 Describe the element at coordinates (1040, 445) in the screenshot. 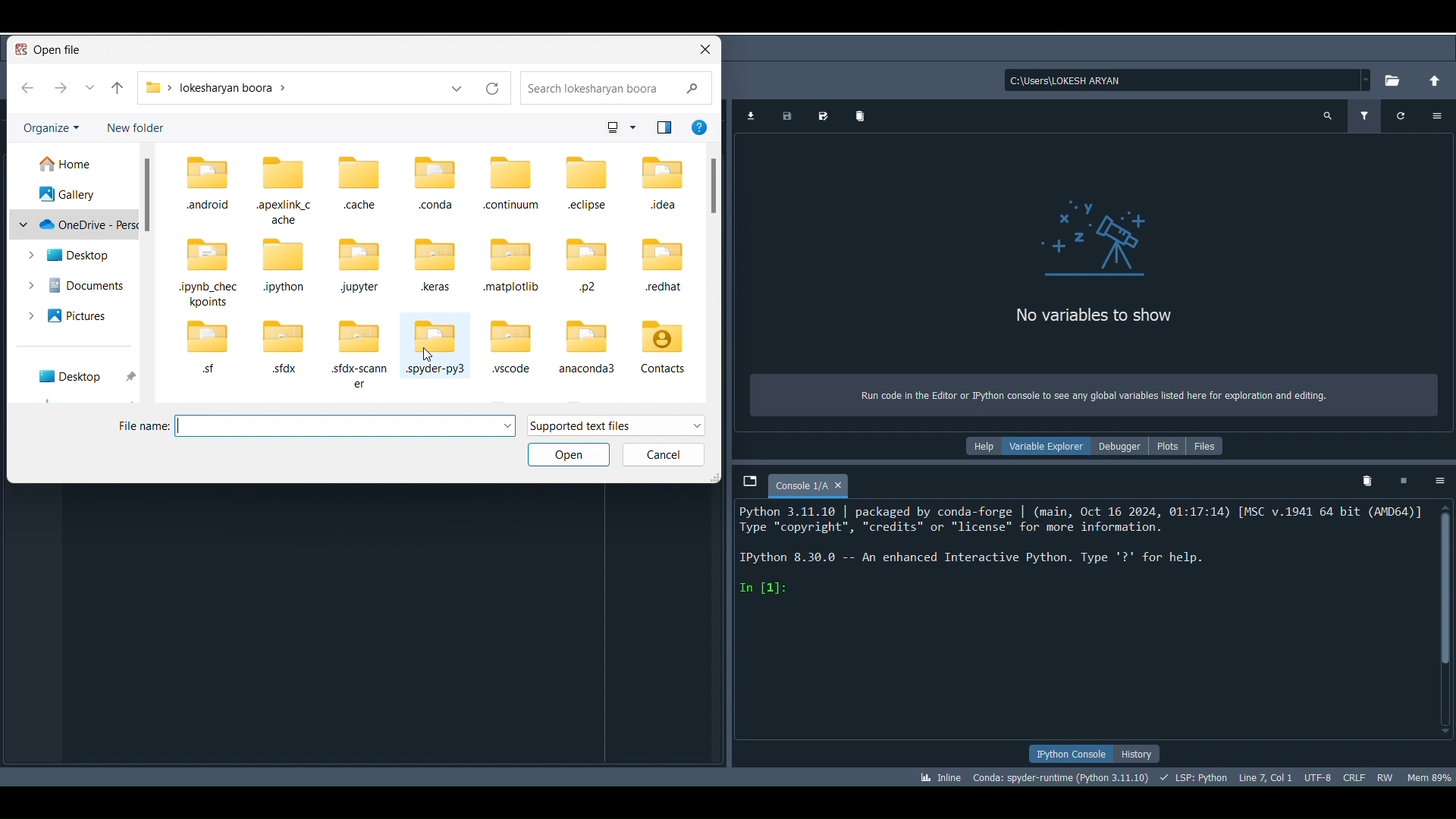

I see `Variable explorer` at that location.